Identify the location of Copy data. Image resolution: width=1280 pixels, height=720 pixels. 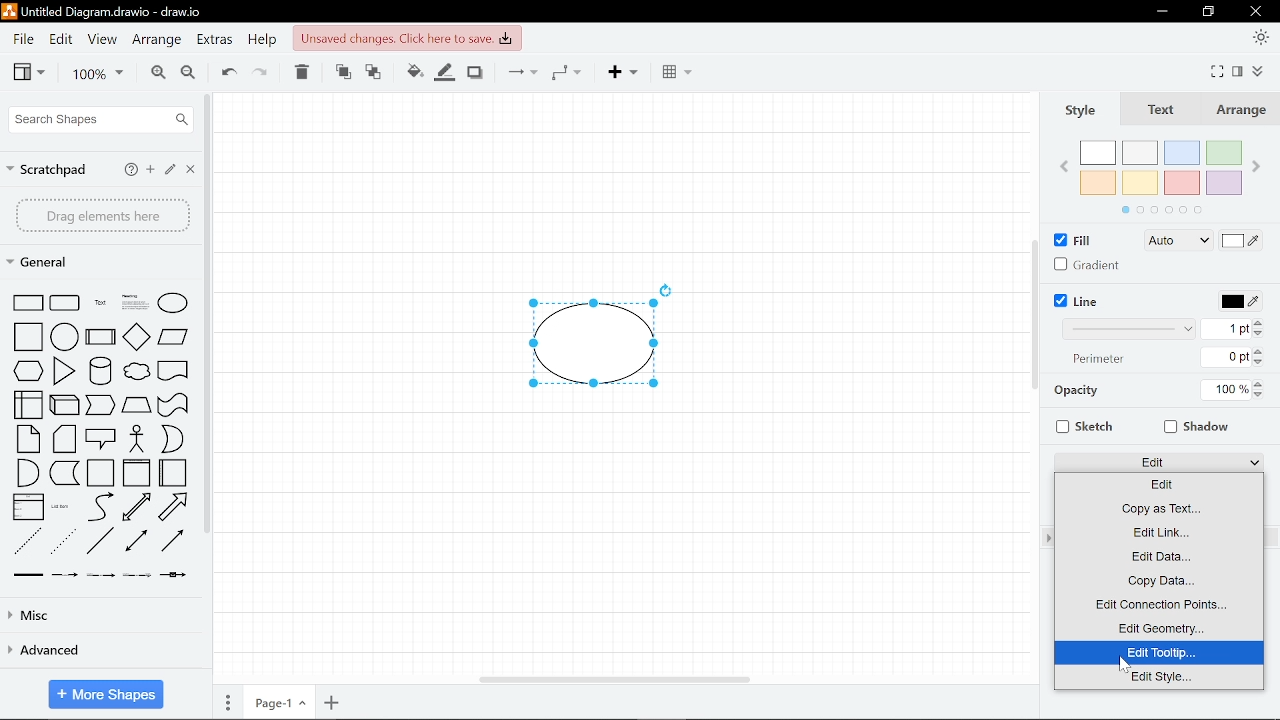
(1159, 580).